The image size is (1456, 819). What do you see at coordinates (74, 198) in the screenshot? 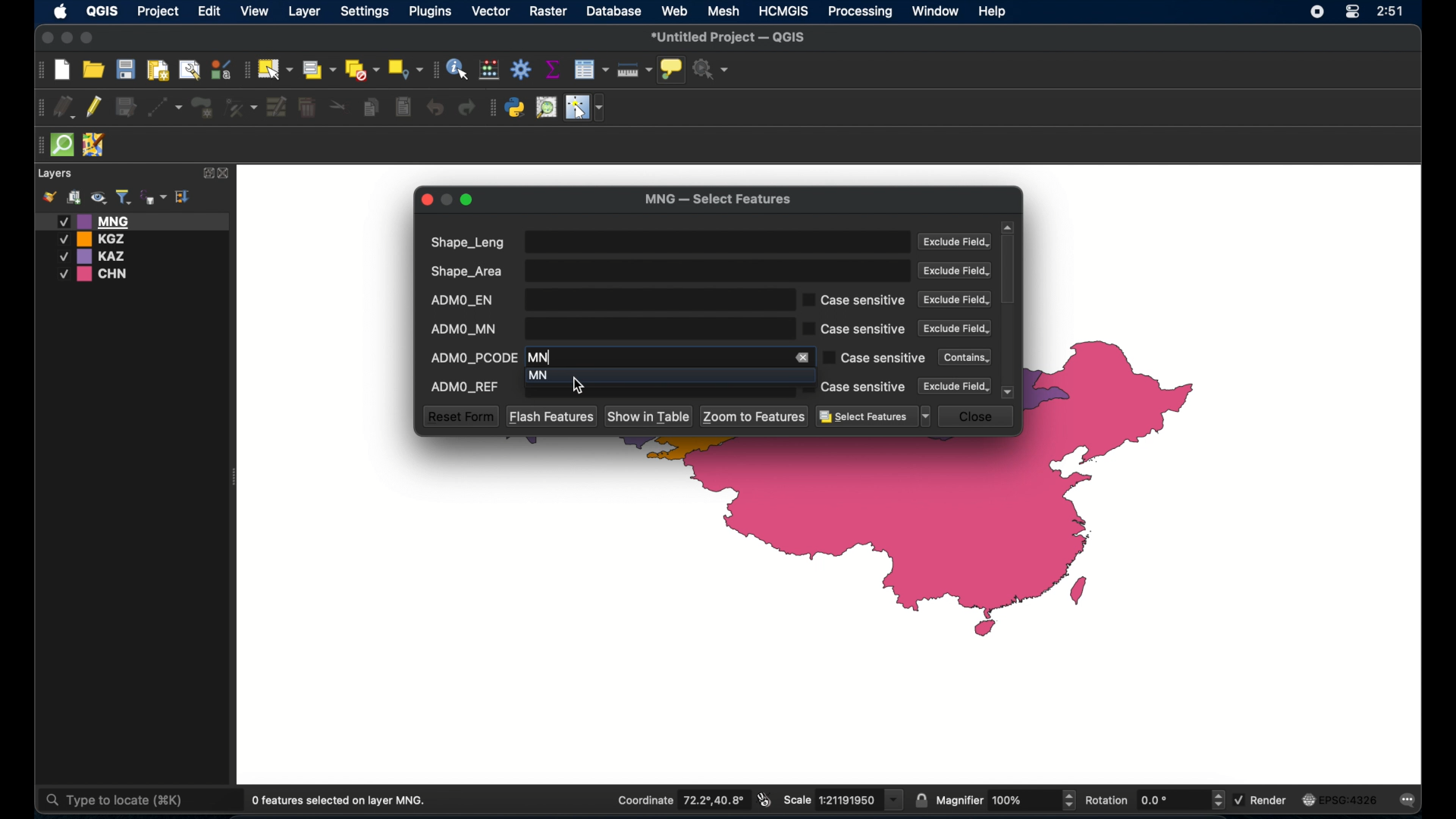
I see `add group` at bounding box center [74, 198].